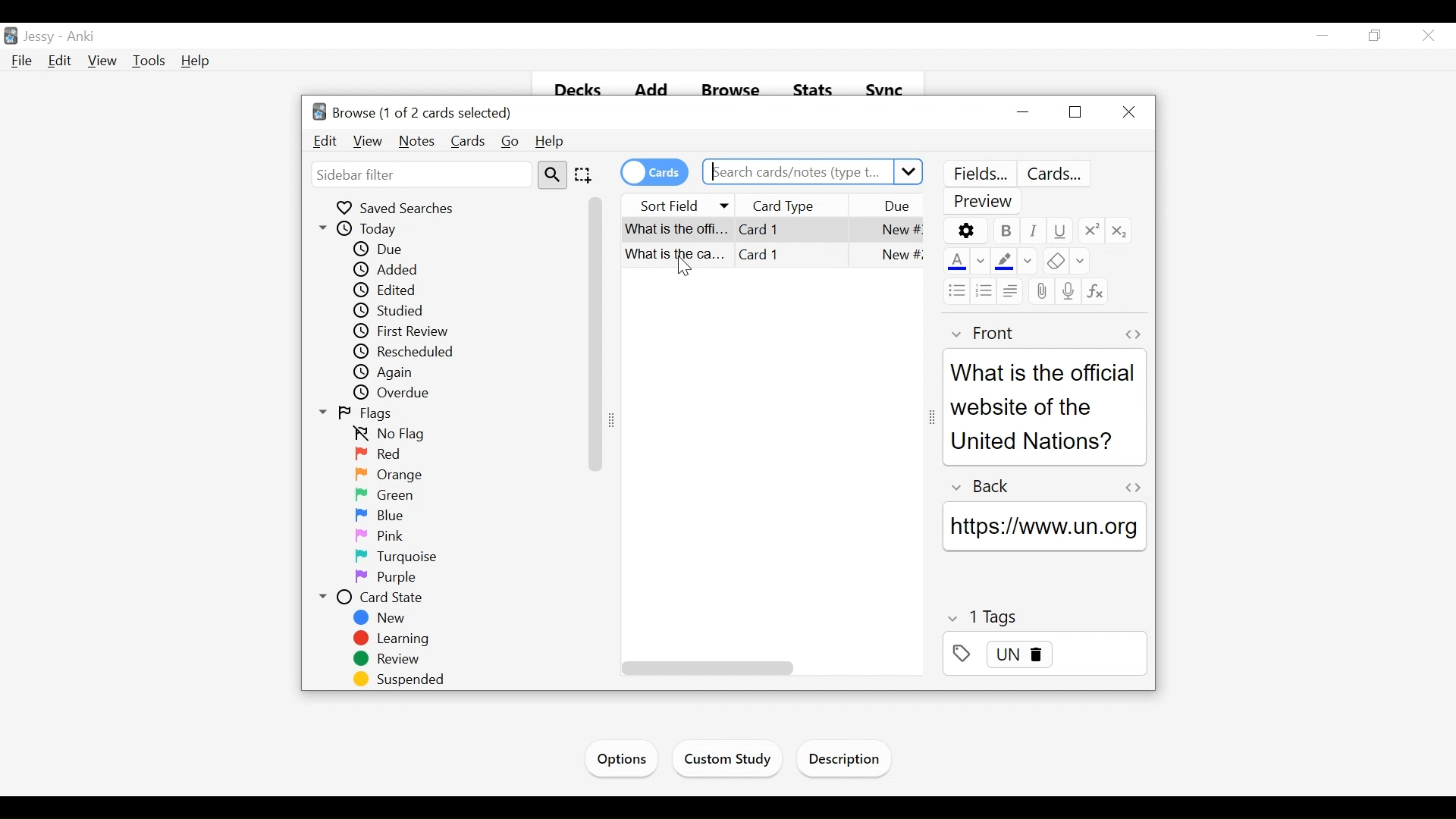 Image resolution: width=1456 pixels, height=819 pixels. What do you see at coordinates (325, 141) in the screenshot?
I see `Edit` at bounding box center [325, 141].